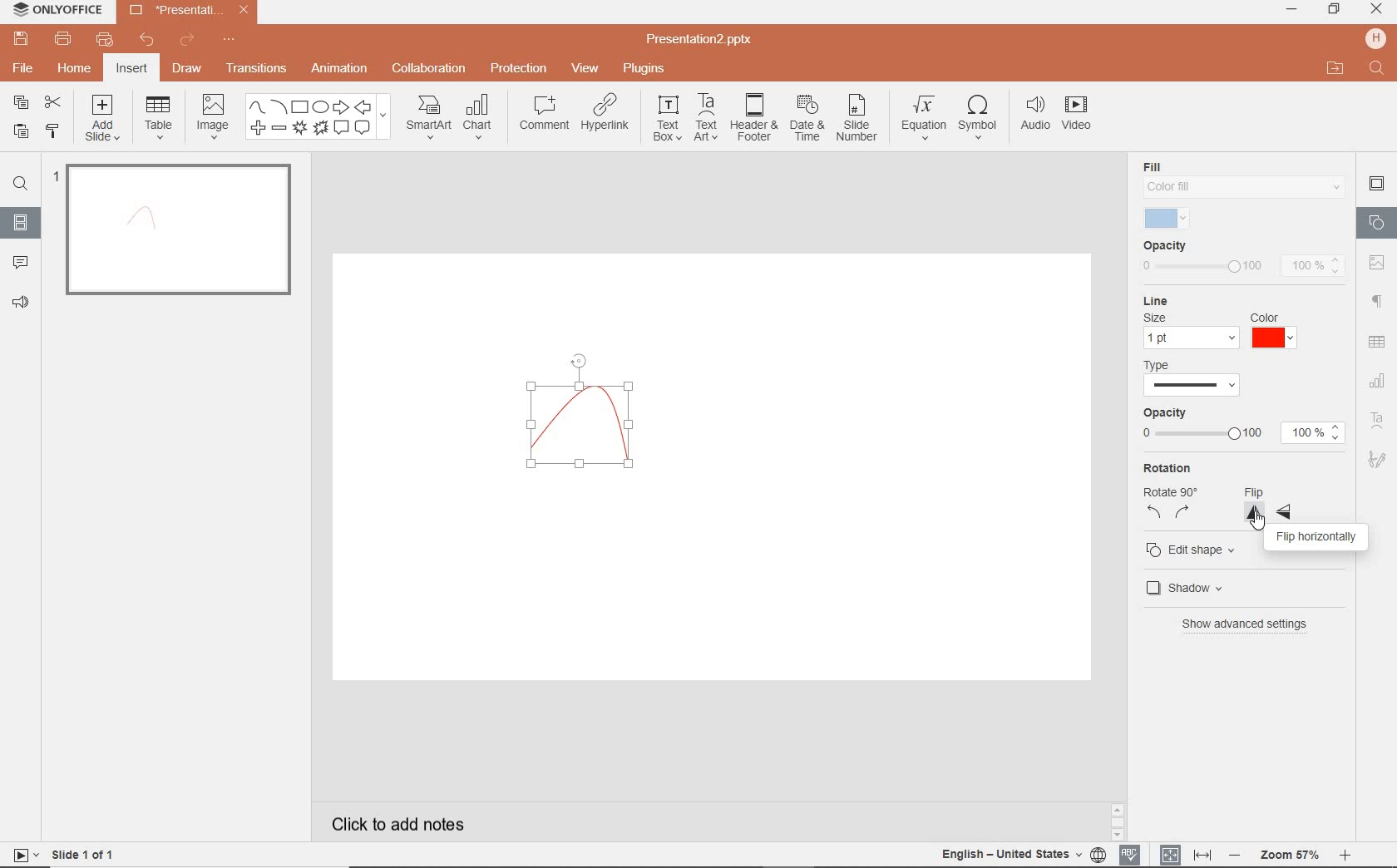 The height and width of the screenshot is (868, 1397). What do you see at coordinates (187, 41) in the screenshot?
I see `REDO` at bounding box center [187, 41].